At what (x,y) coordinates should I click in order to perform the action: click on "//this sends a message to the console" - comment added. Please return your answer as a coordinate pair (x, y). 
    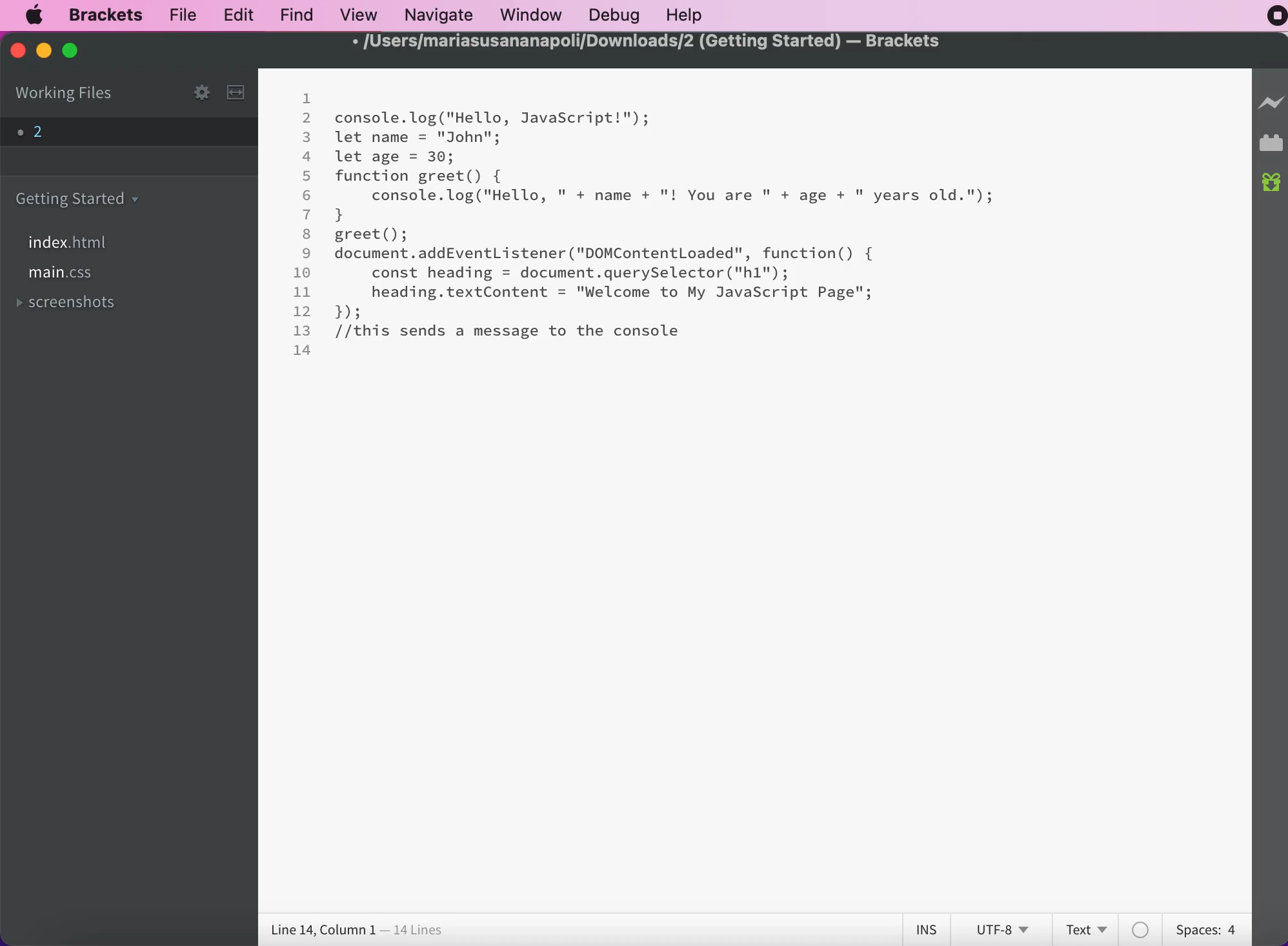
    Looking at the image, I should click on (508, 331).